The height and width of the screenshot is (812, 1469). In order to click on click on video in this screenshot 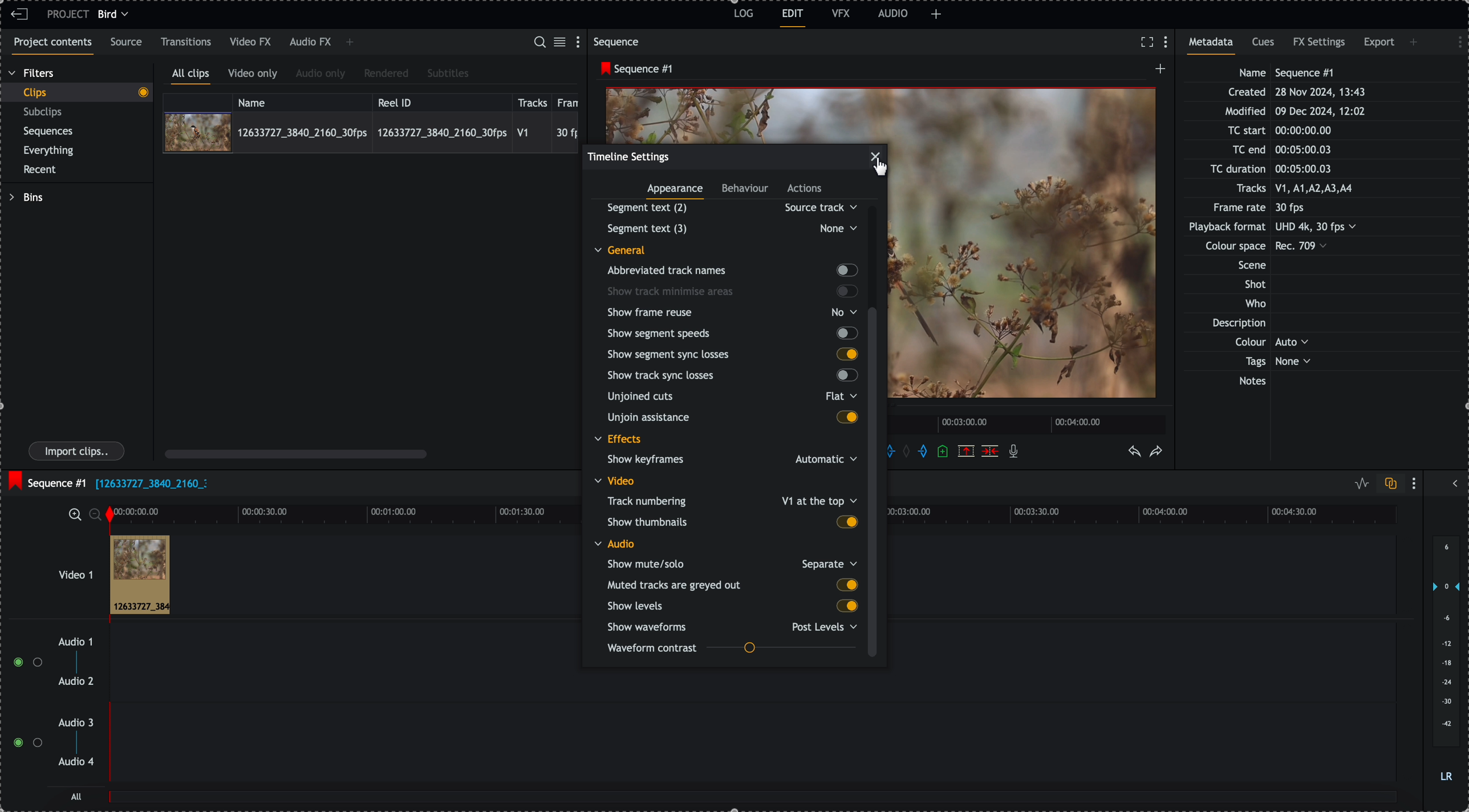, I will do `click(371, 132)`.